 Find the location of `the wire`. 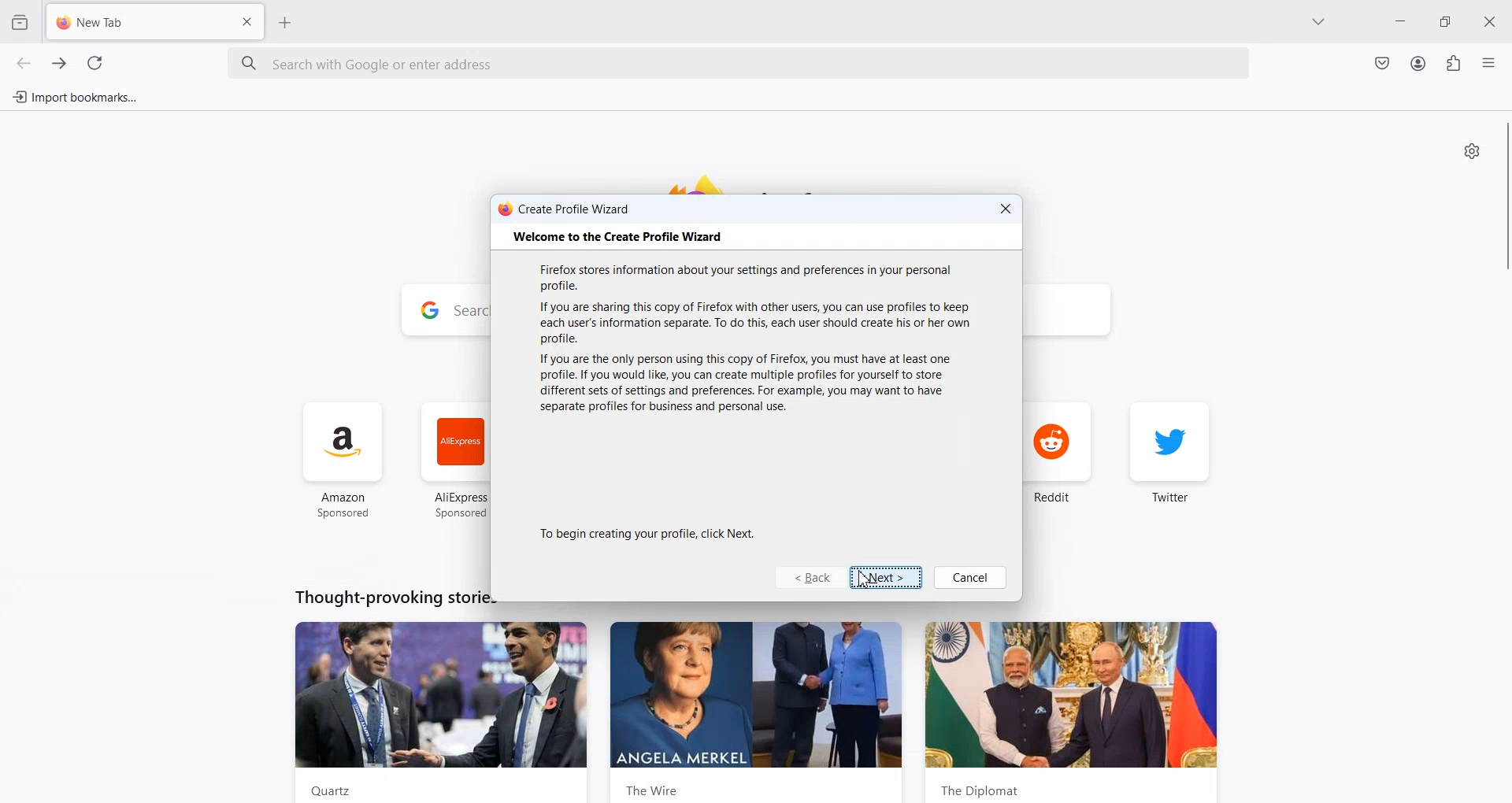

the wire is located at coordinates (758, 712).